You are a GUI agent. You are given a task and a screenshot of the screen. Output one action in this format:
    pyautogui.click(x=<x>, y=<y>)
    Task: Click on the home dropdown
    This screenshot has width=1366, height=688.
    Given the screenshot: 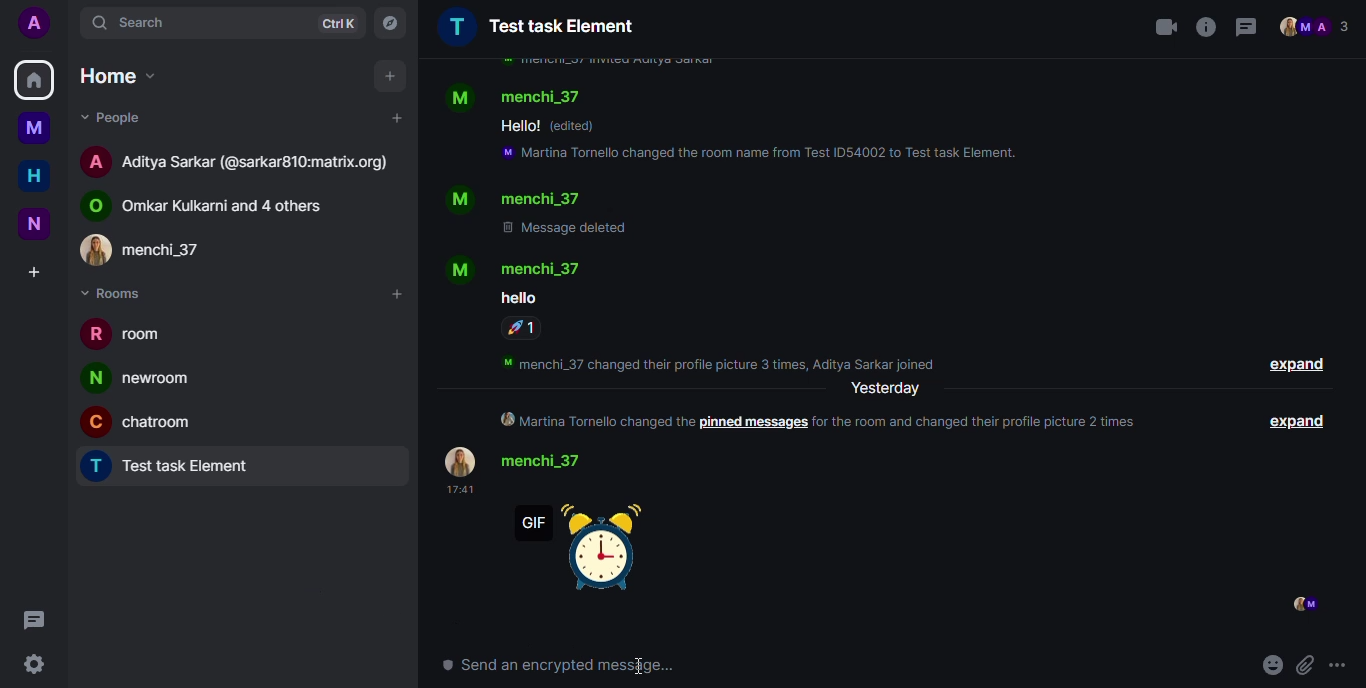 What is the action you would take?
    pyautogui.click(x=117, y=74)
    